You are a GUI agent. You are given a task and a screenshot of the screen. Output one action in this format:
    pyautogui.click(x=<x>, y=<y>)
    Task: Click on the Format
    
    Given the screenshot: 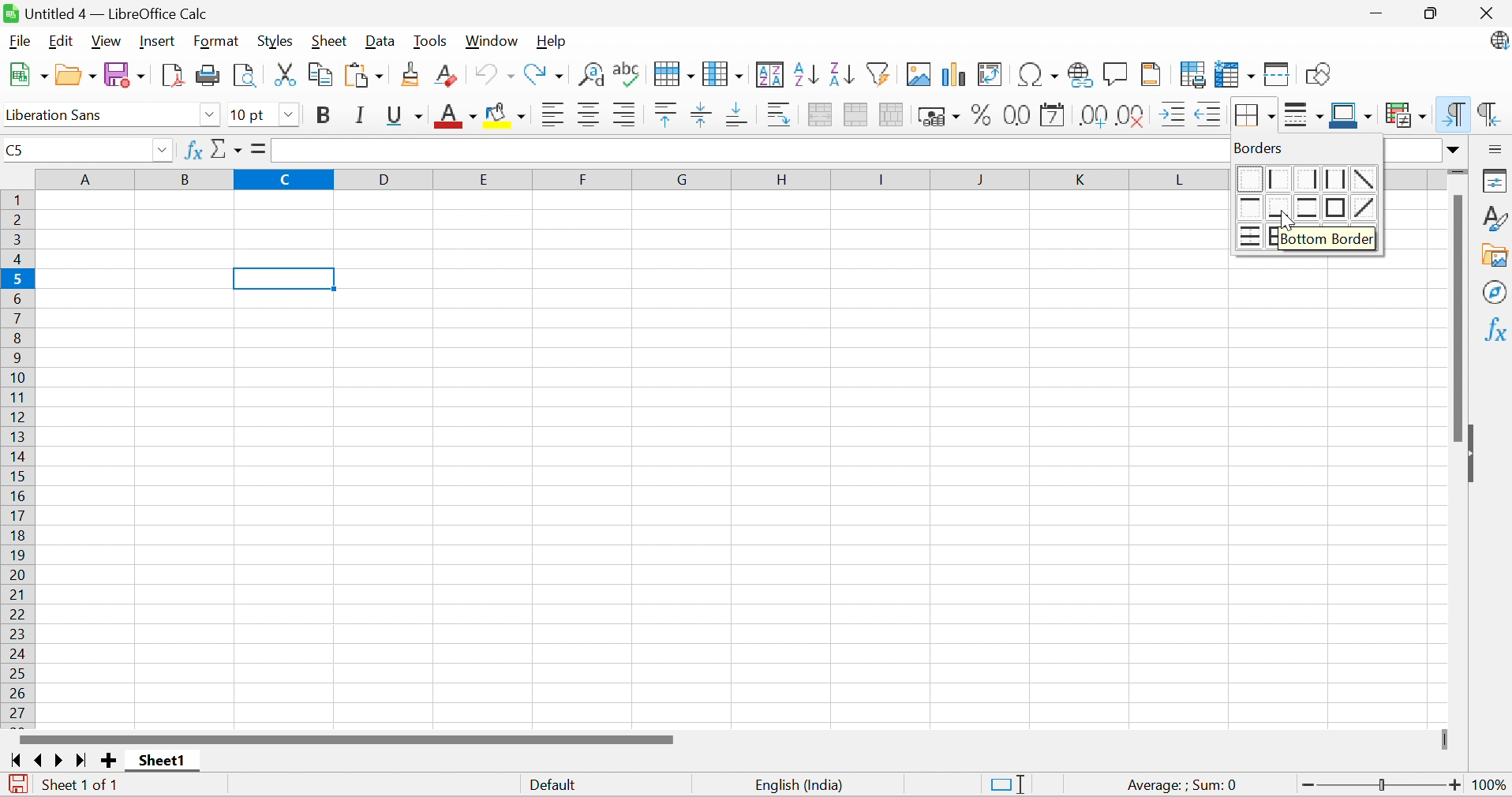 What is the action you would take?
    pyautogui.click(x=215, y=42)
    